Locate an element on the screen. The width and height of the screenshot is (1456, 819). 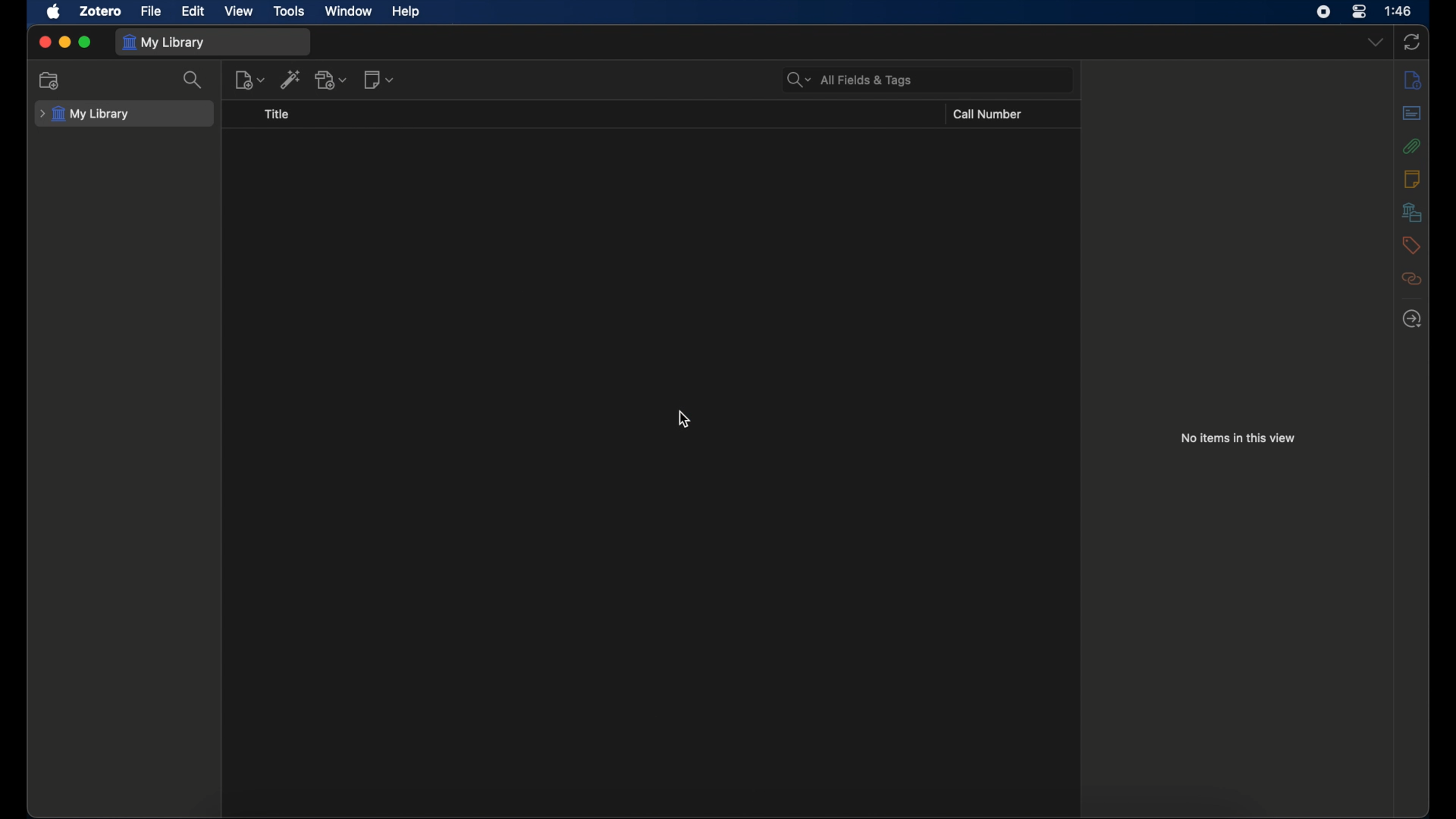
abstract is located at coordinates (1414, 112).